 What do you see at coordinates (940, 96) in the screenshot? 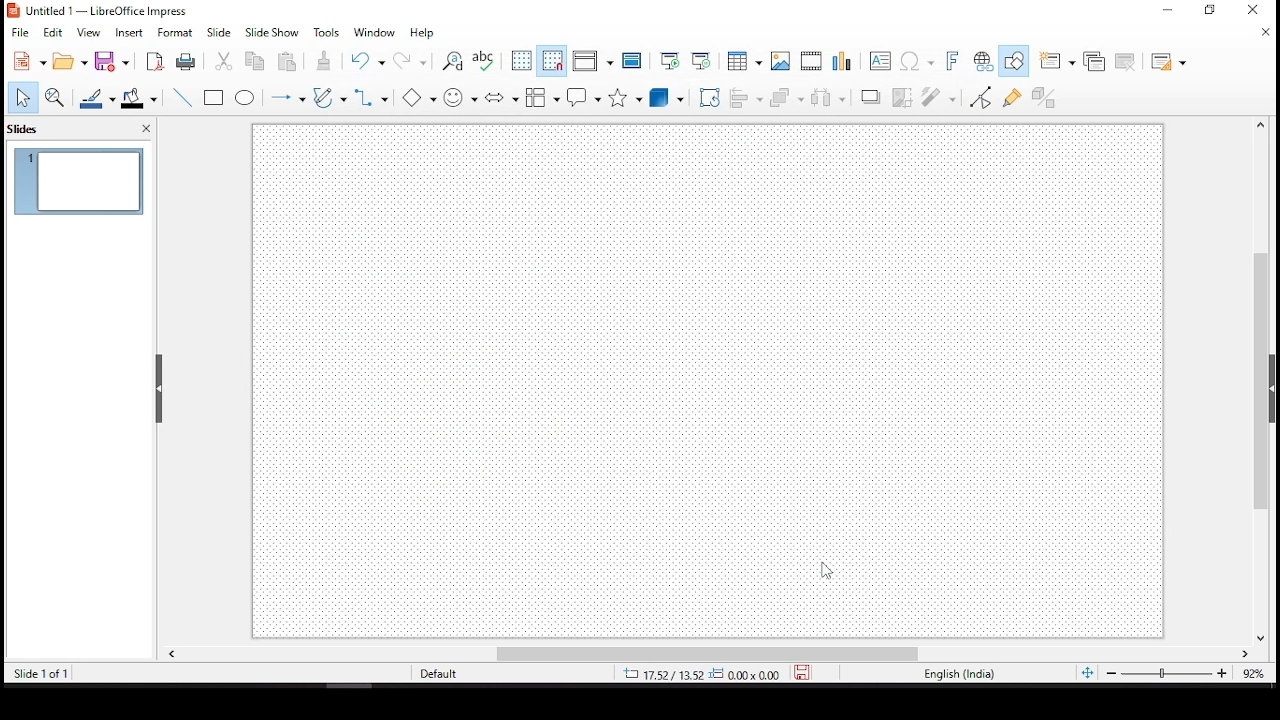
I see `filter` at bounding box center [940, 96].